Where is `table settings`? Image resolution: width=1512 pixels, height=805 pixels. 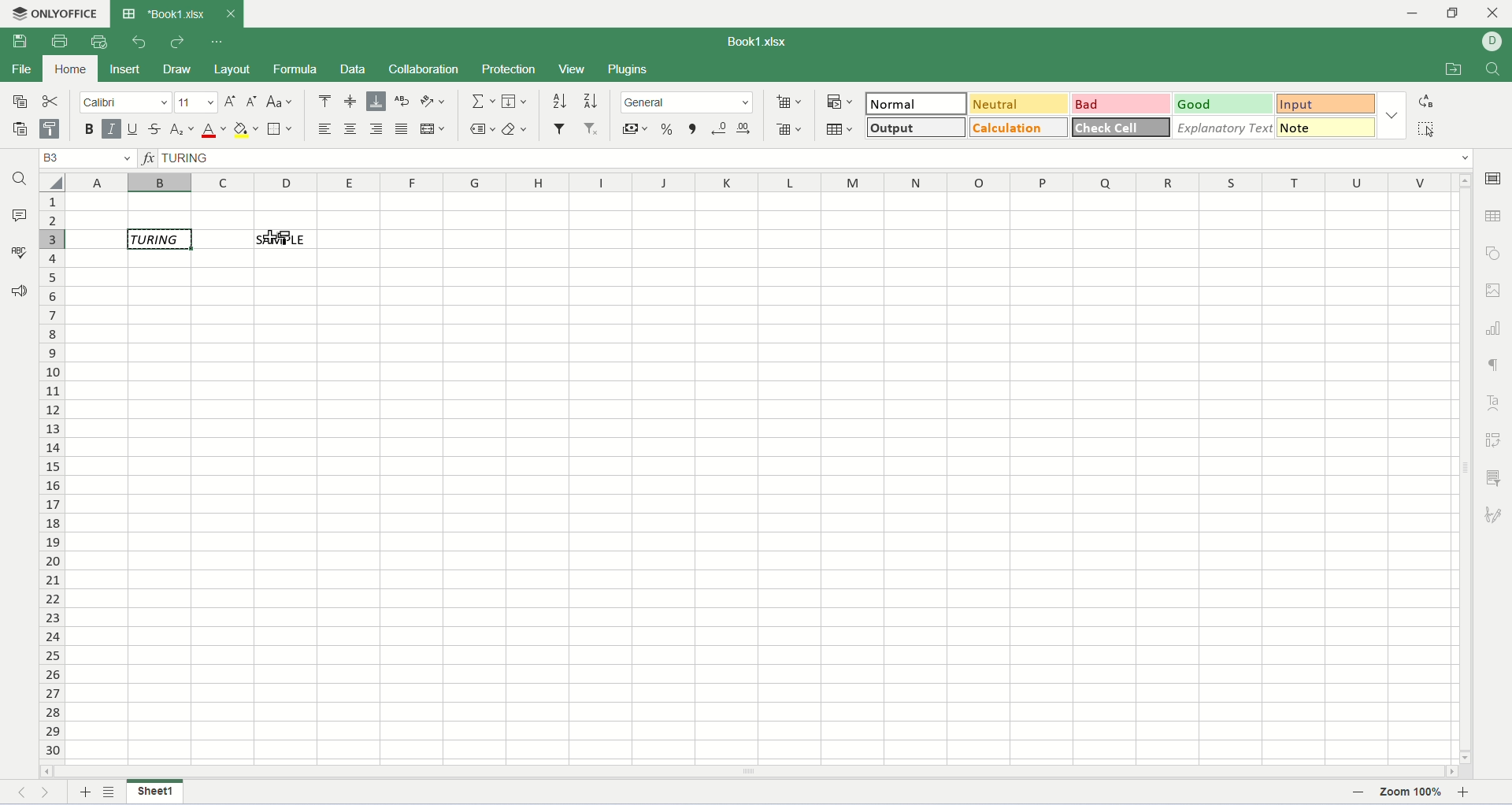
table settings is located at coordinates (1495, 217).